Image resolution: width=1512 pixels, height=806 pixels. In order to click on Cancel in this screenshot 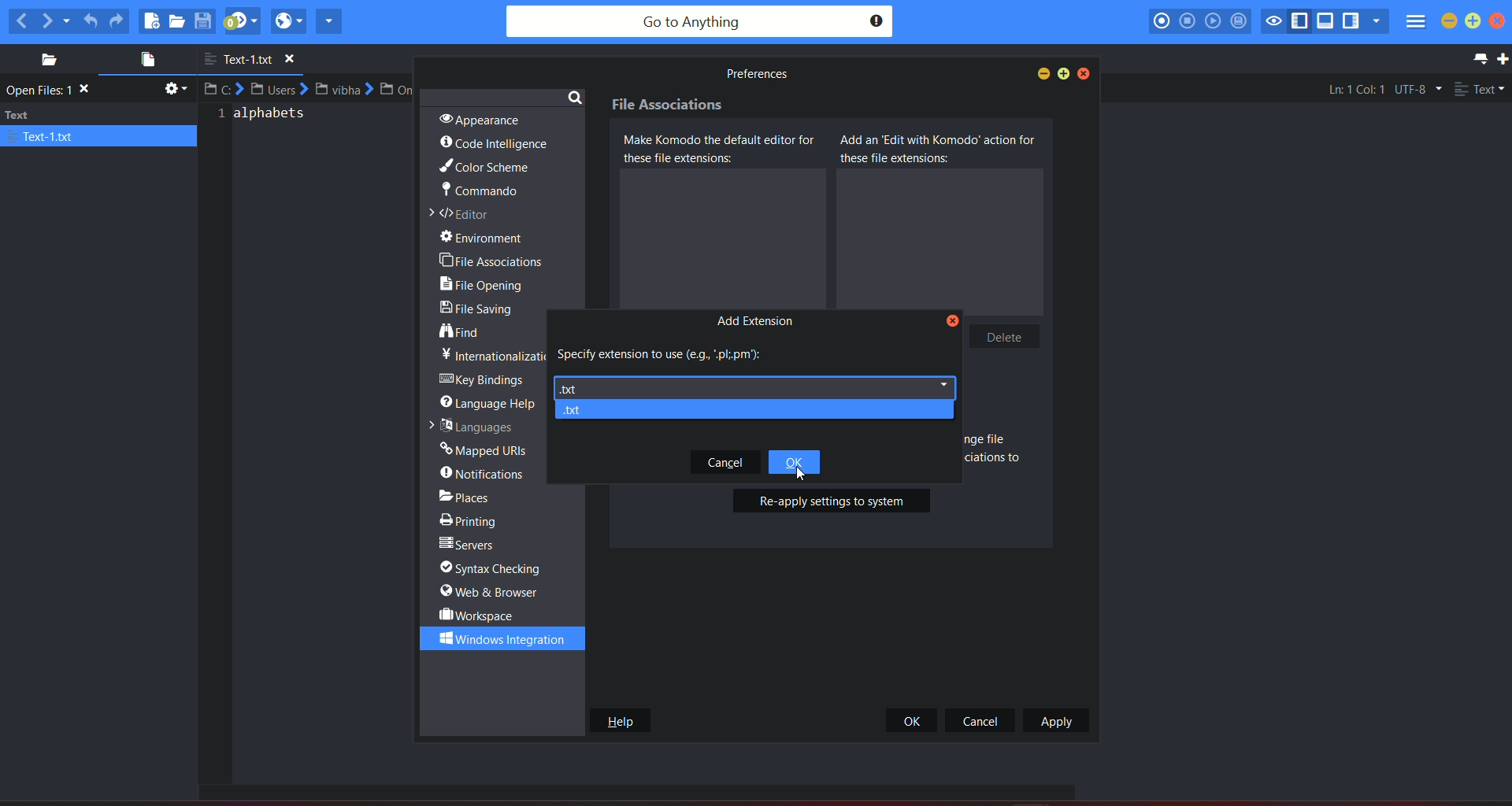, I will do `click(724, 461)`.